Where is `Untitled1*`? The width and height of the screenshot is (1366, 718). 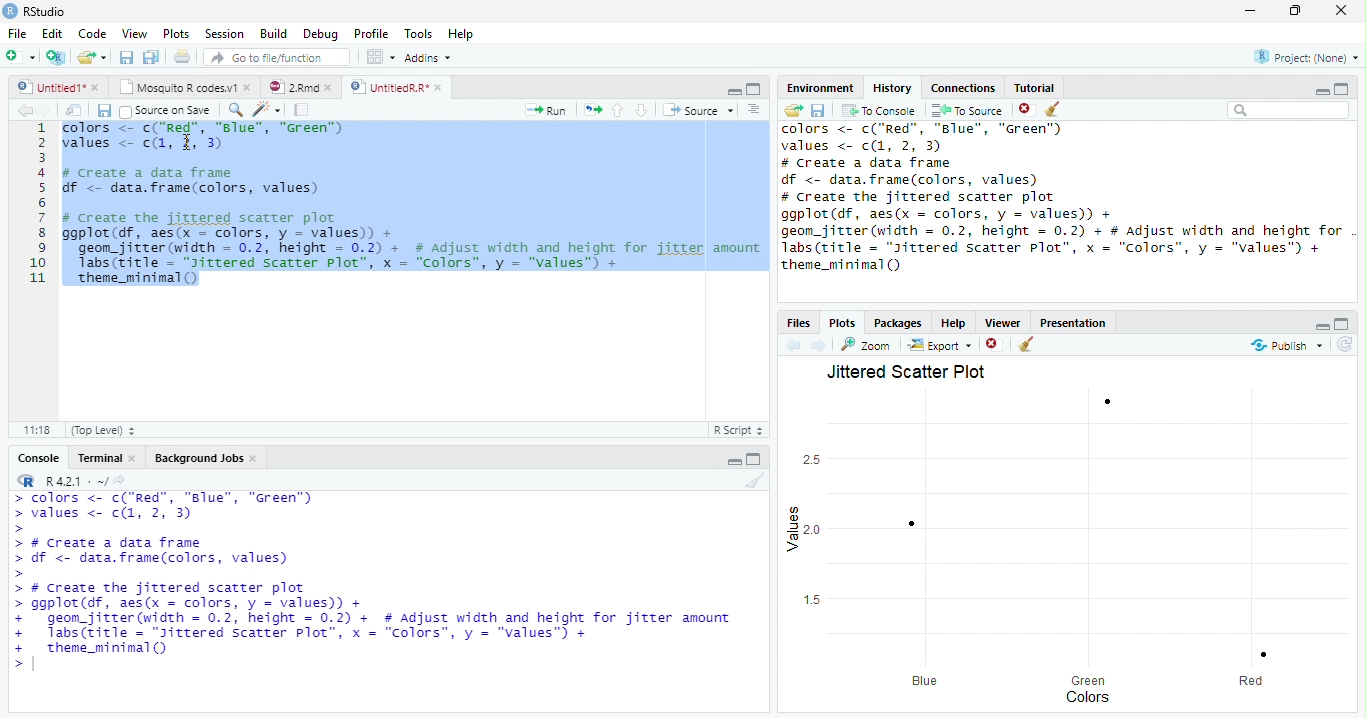
Untitled1* is located at coordinates (50, 88).